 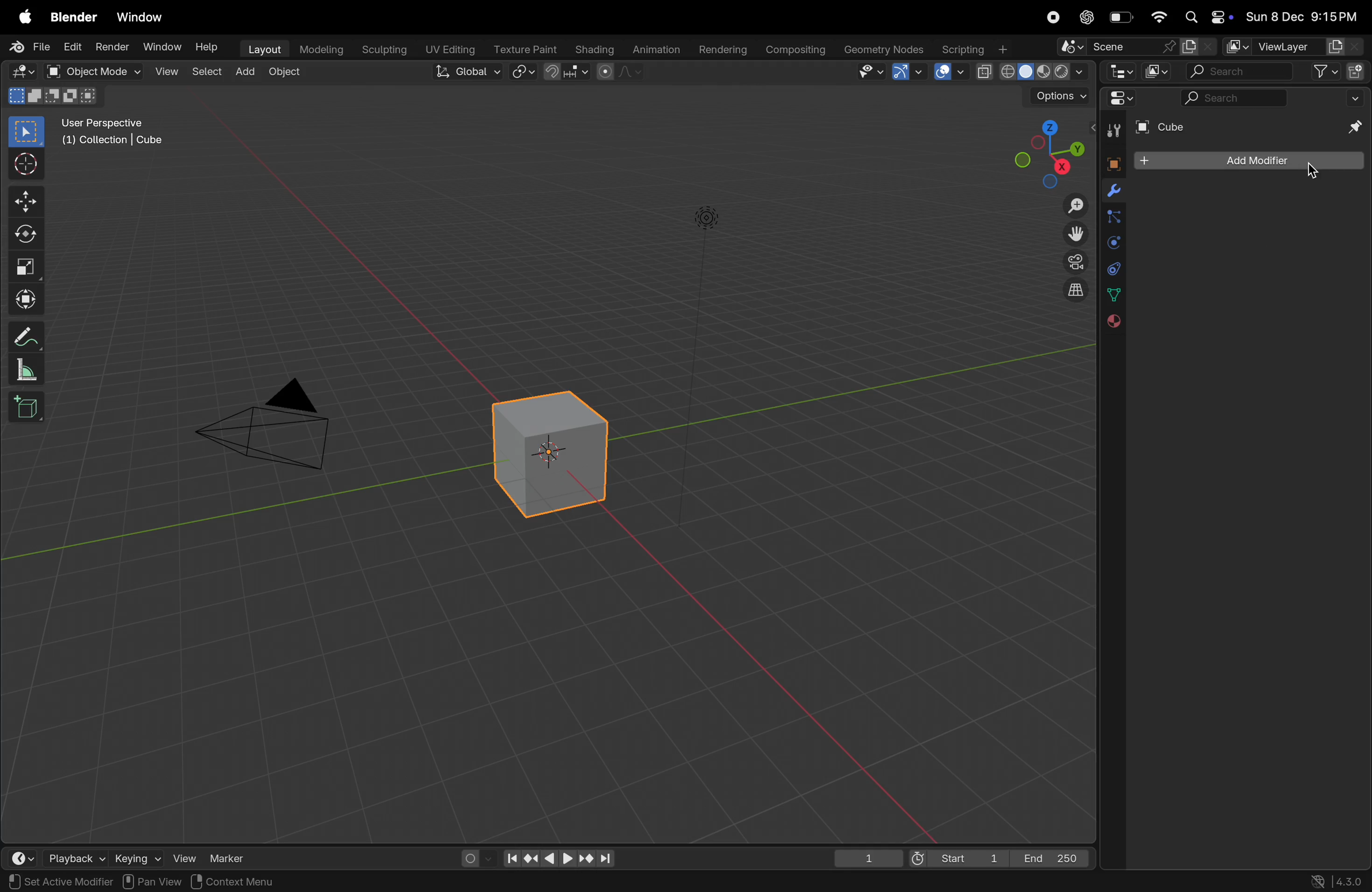 I want to click on maker, so click(x=233, y=857).